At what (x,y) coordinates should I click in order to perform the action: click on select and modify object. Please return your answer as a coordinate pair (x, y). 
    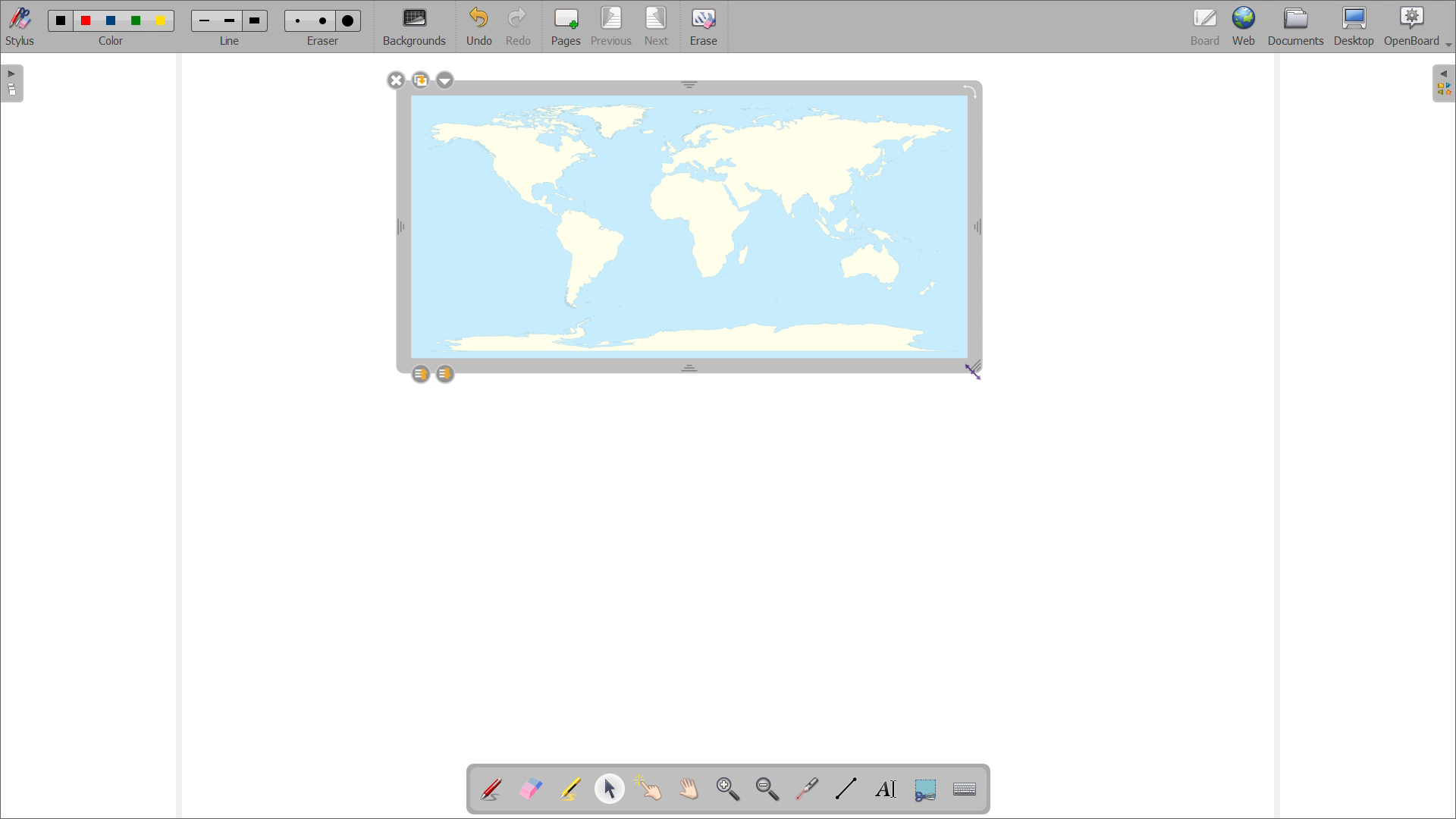
    Looking at the image, I should click on (610, 789).